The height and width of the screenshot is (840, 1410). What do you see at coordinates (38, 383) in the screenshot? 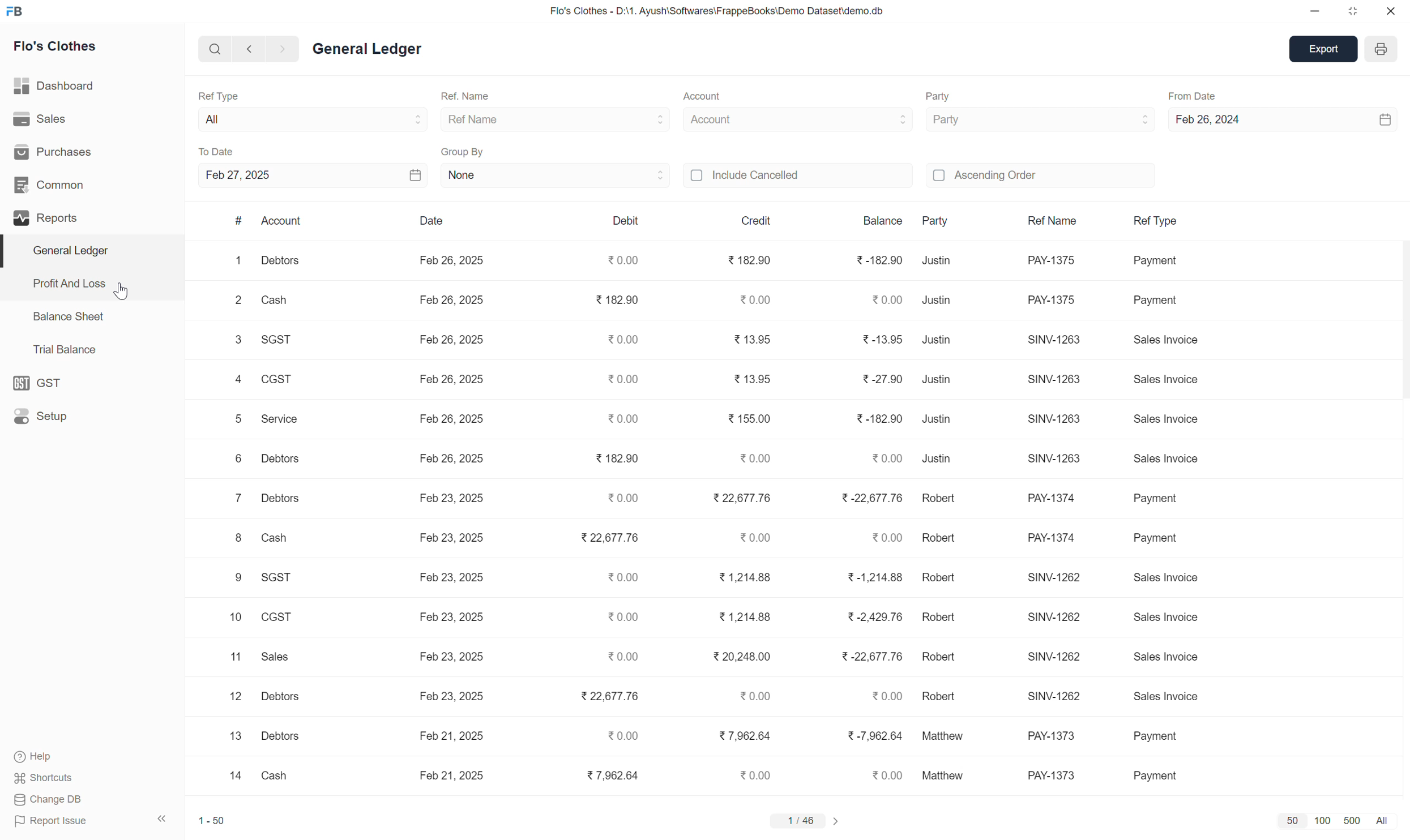
I see `setup` at bounding box center [38, 383].